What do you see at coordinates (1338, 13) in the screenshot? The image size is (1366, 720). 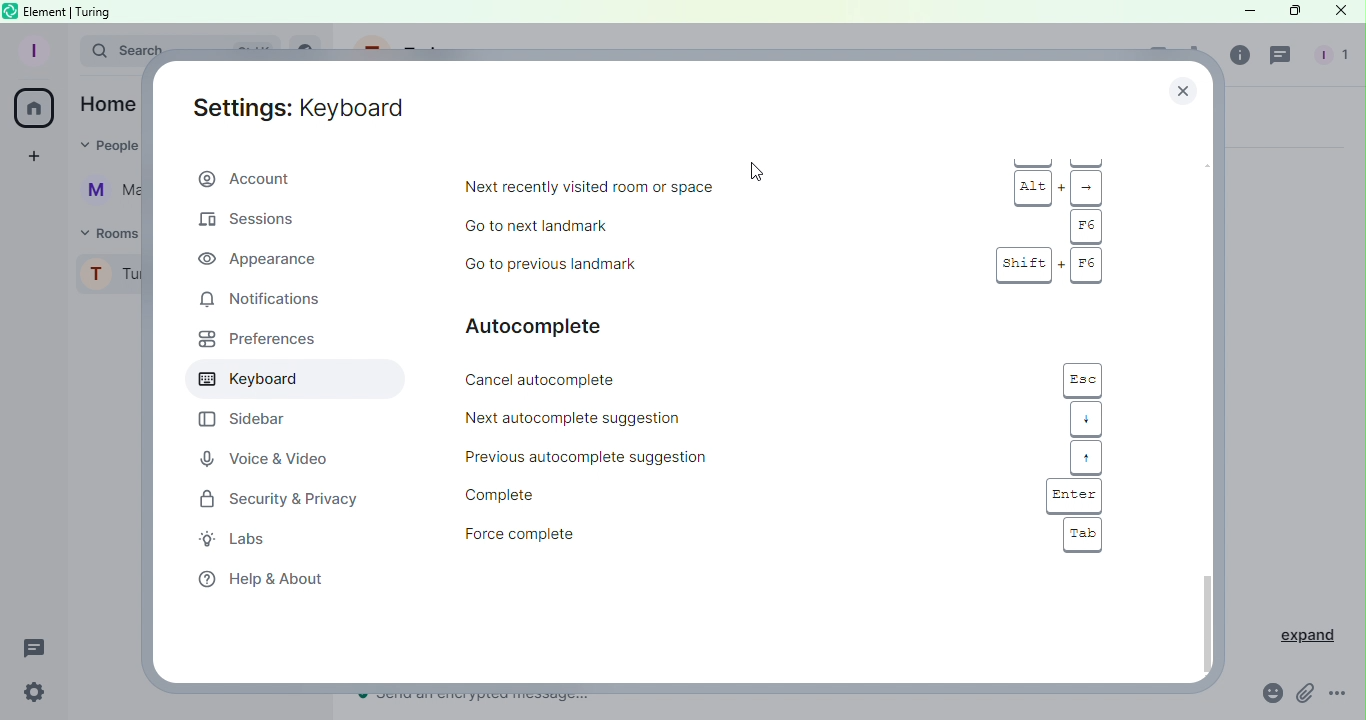 I see `Close` at bounding box center [1338, 13].